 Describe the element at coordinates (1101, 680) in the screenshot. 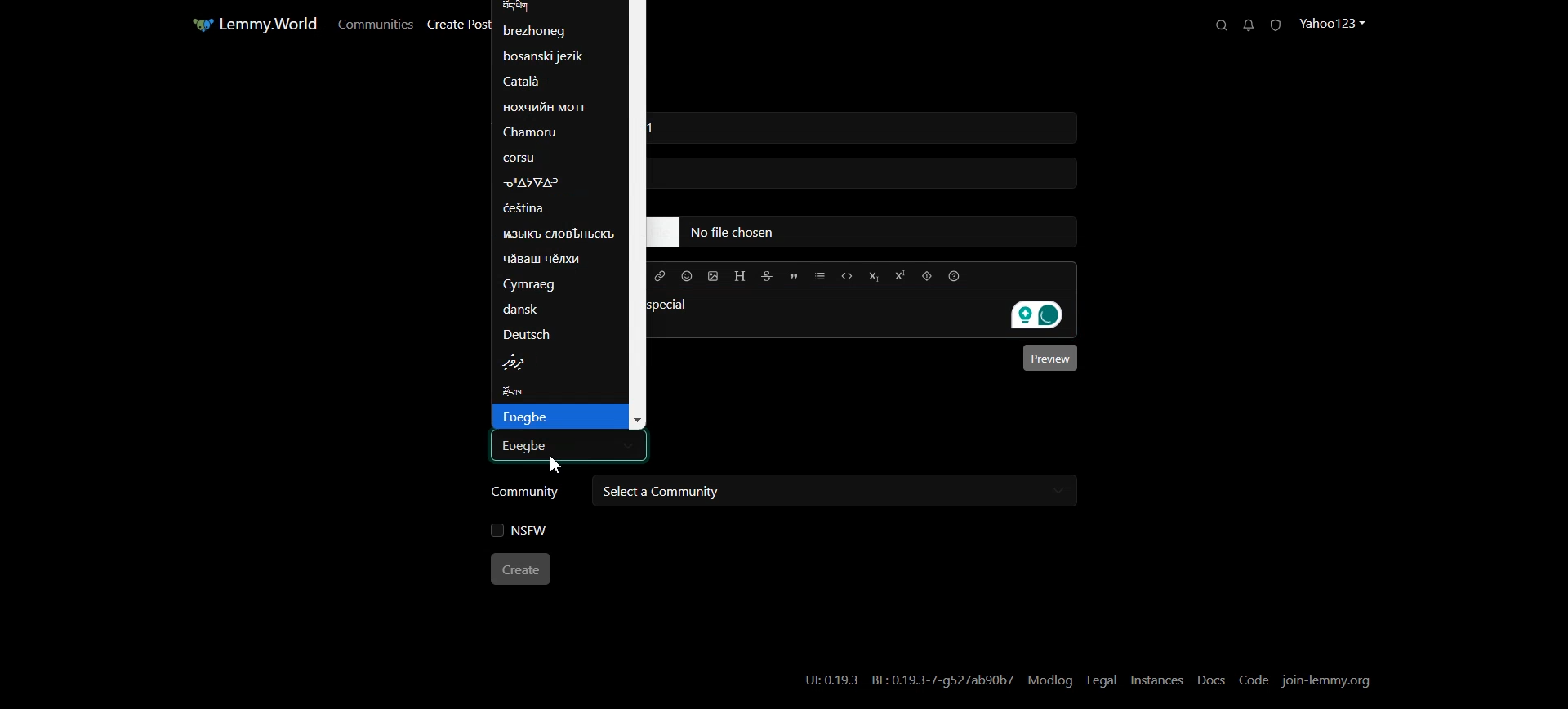

I see `Legal` at that location.